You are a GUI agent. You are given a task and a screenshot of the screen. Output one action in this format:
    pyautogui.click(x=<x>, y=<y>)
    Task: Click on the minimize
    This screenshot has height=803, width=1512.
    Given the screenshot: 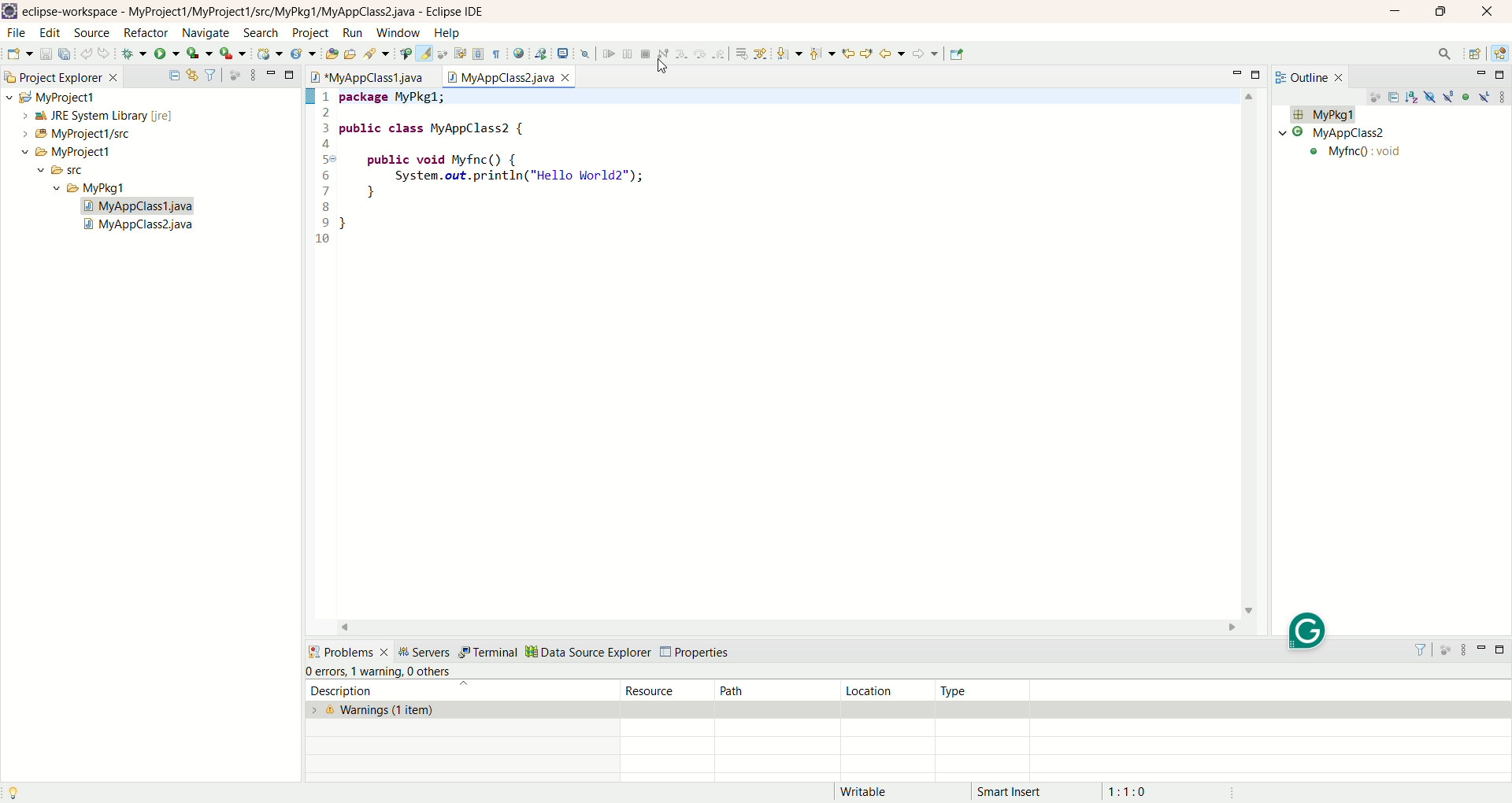 What is the action you would take?
    pyautogui.click(x=1395, y=10)
    